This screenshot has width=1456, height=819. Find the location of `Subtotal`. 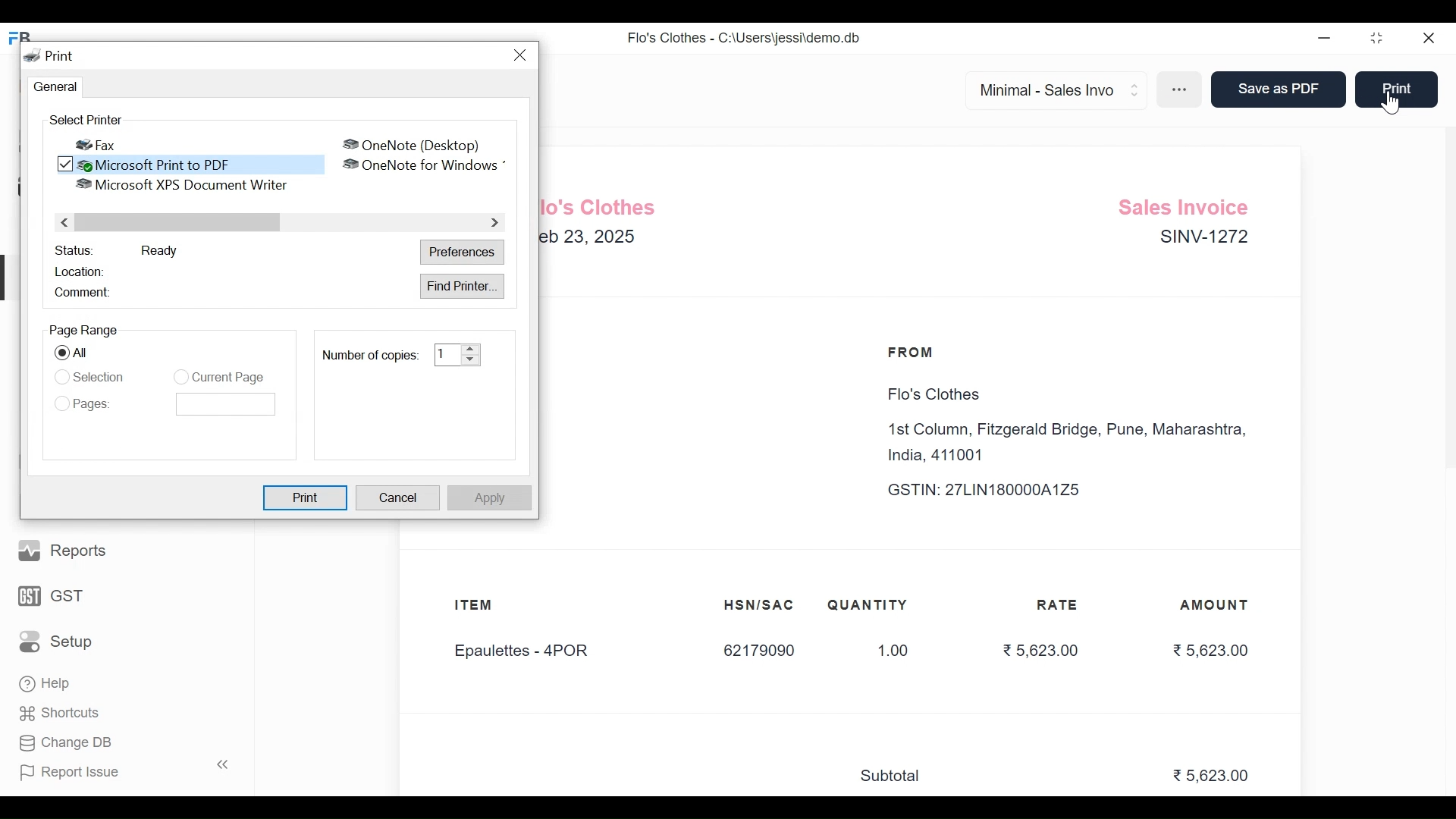

Subtotal is located at coordinates (897, 777).